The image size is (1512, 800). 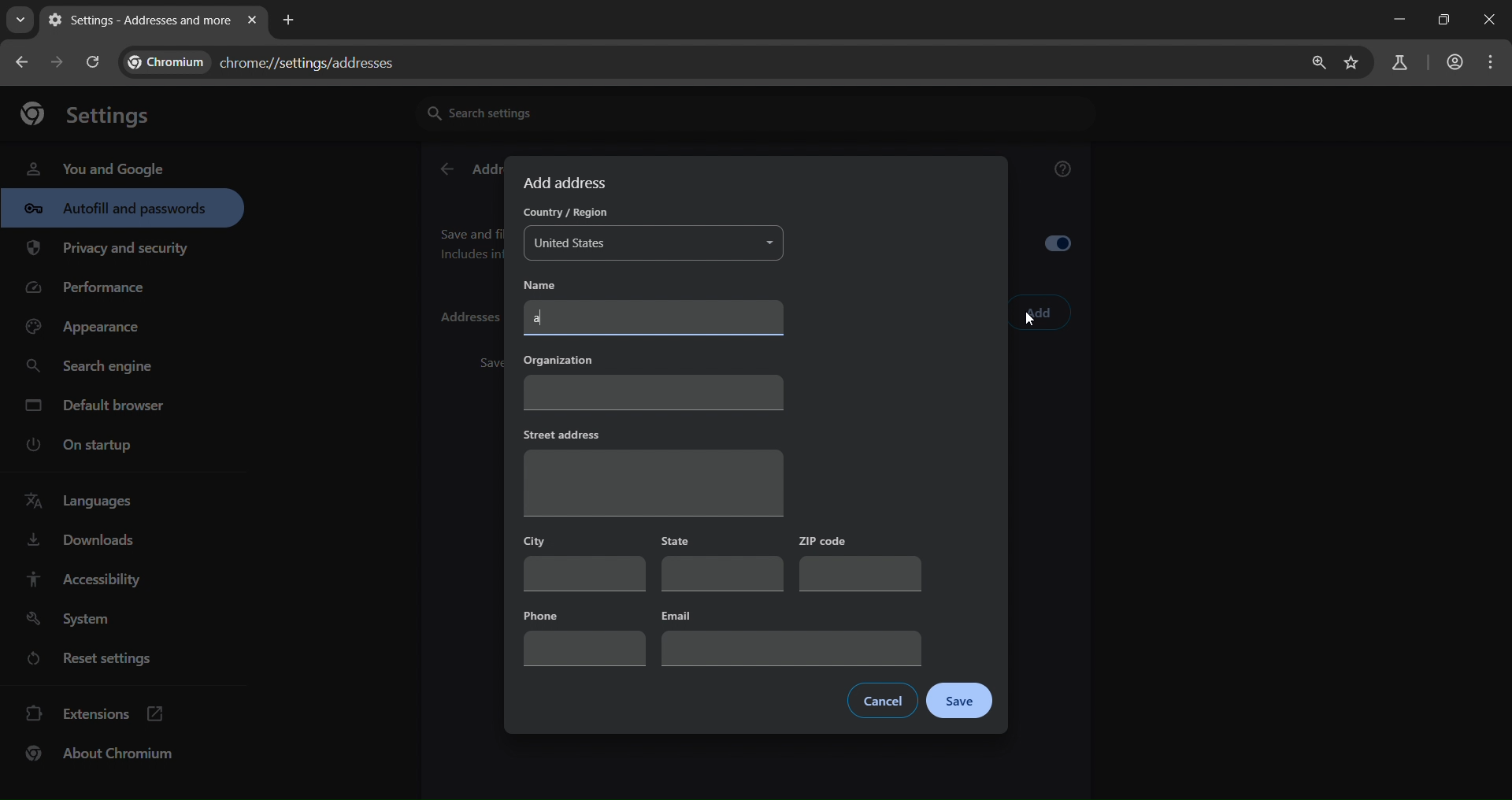 What do you see at coordinates (1064, 172) in the screenshot?
I see `get help` at bounding box center [1064, 172].